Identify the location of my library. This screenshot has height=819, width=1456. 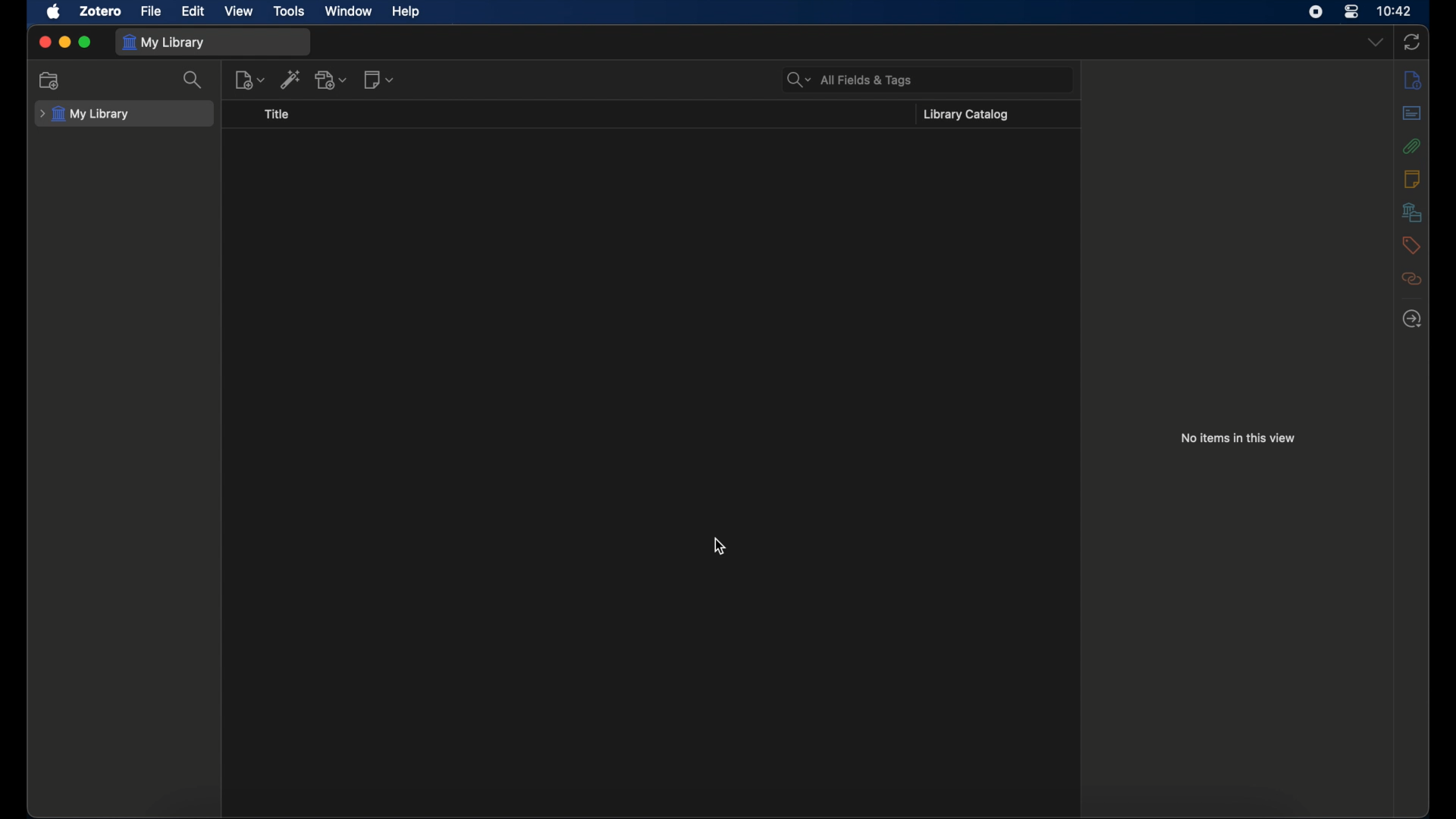
(86, 114).